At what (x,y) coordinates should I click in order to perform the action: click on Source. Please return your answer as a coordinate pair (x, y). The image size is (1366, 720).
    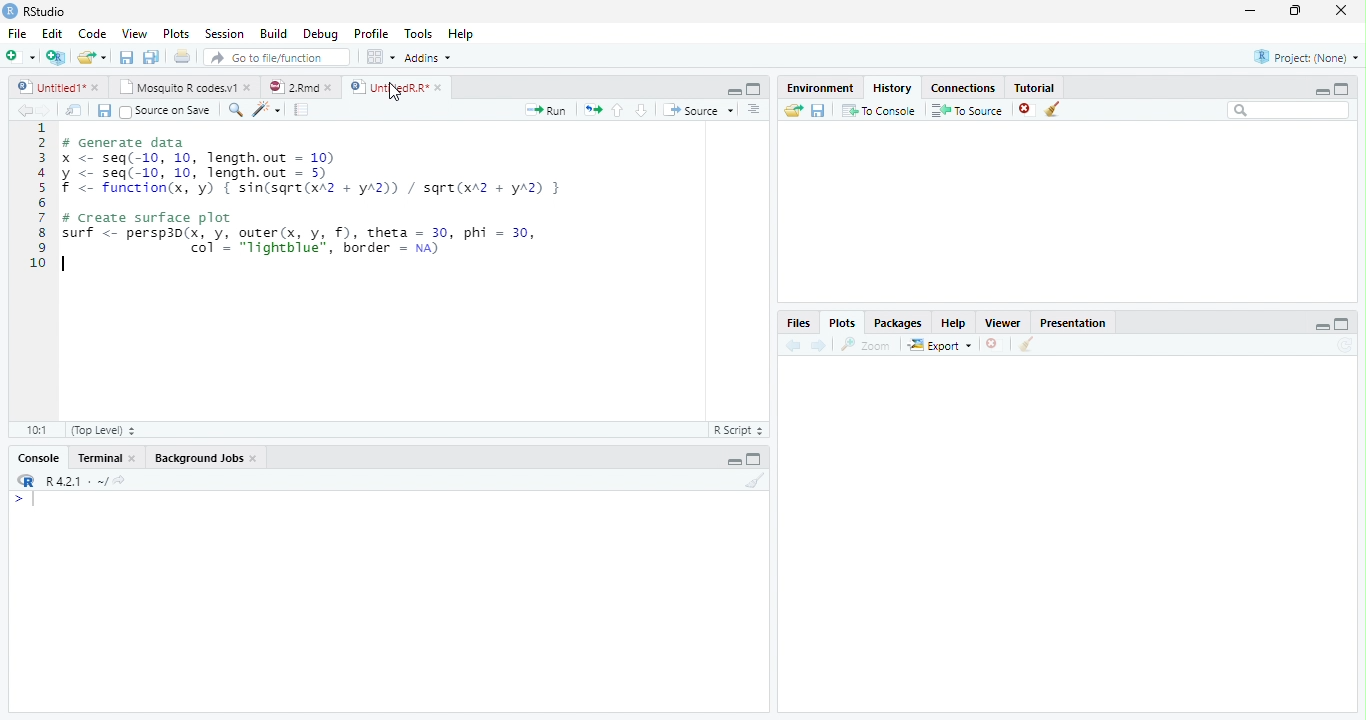
    Looking at the image, I should click on (697, 109).